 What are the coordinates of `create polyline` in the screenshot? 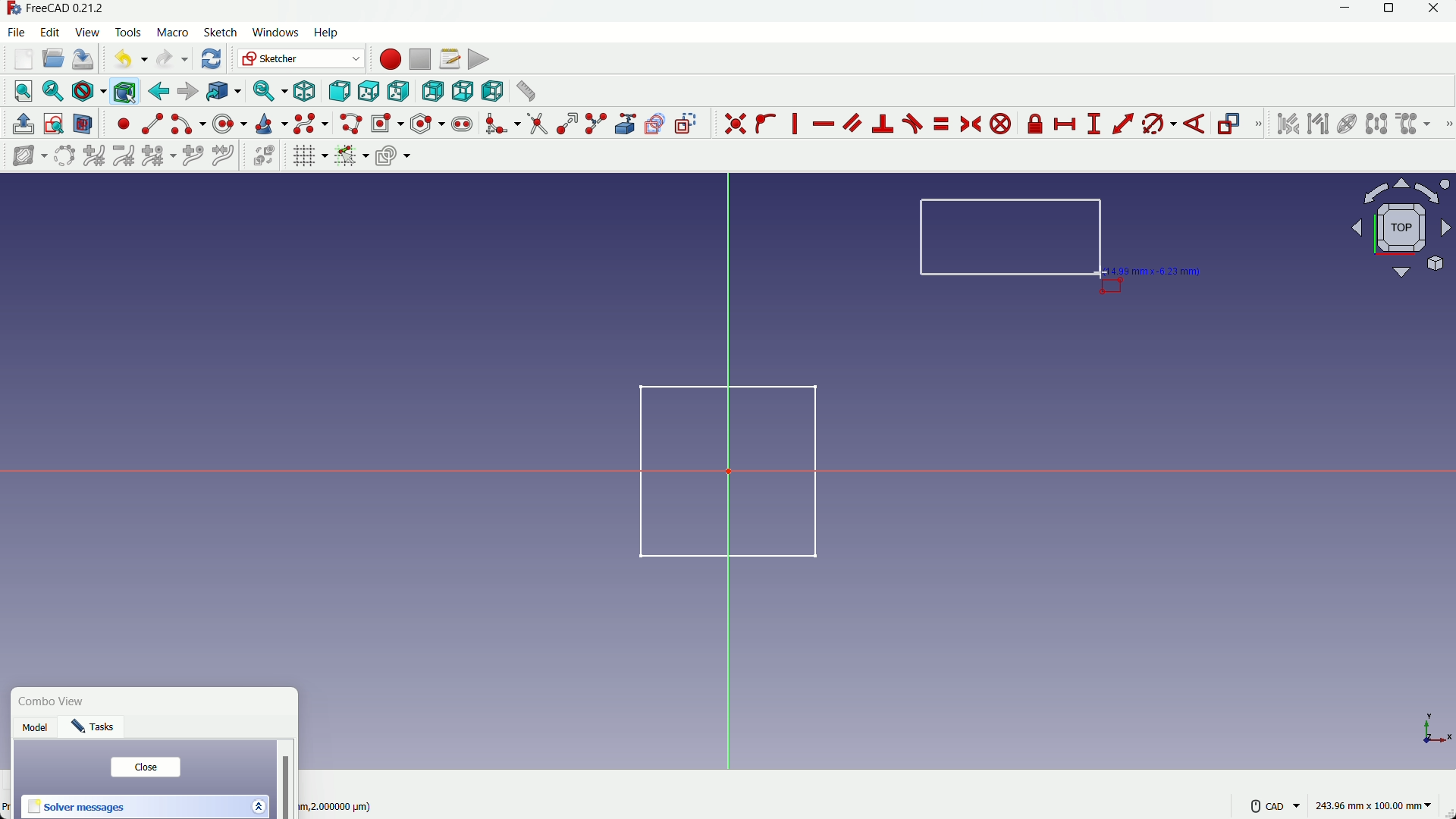 It's located at (350, 123).